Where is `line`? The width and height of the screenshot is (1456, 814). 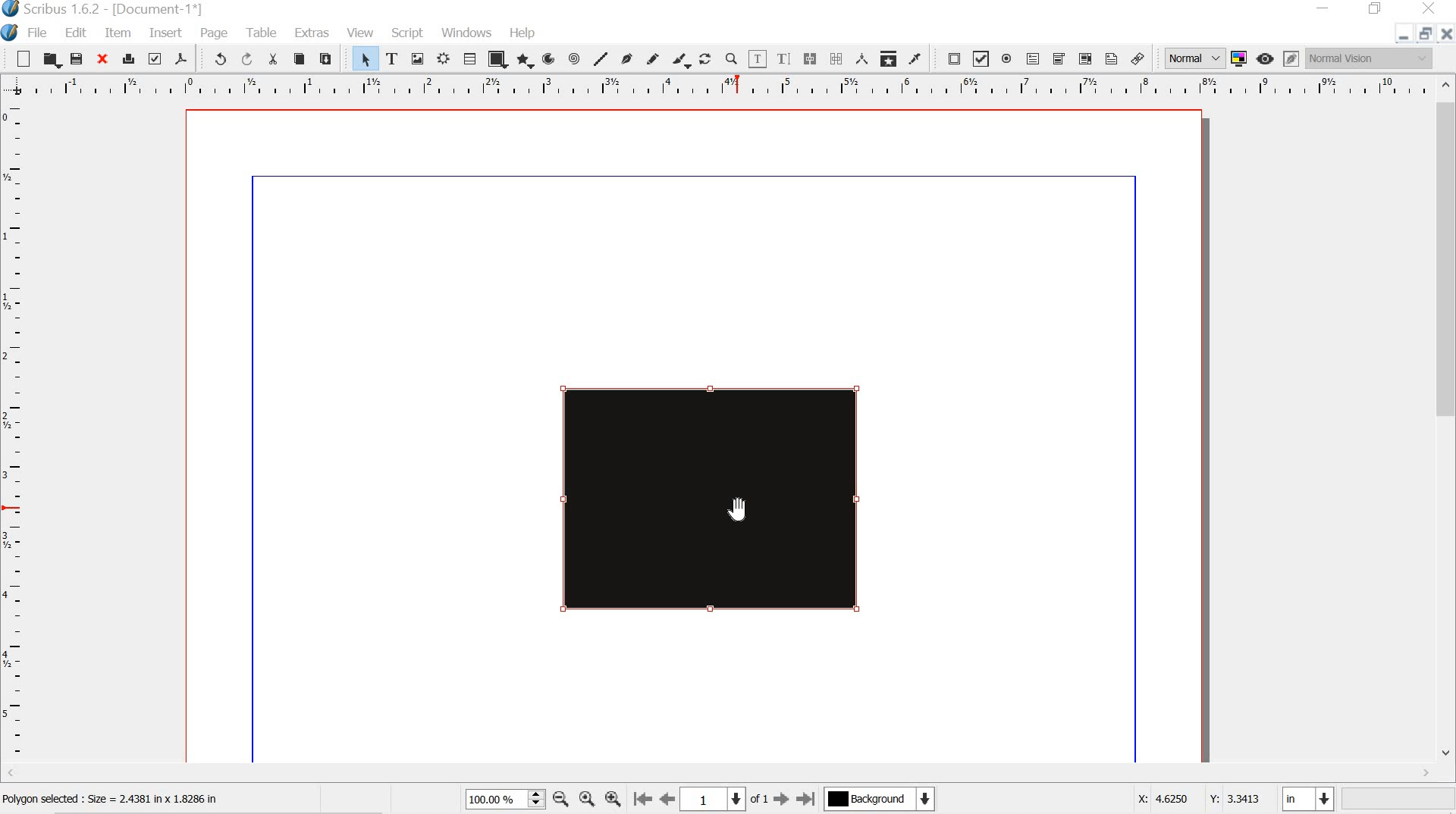
line is located at coordinates (601, 58).